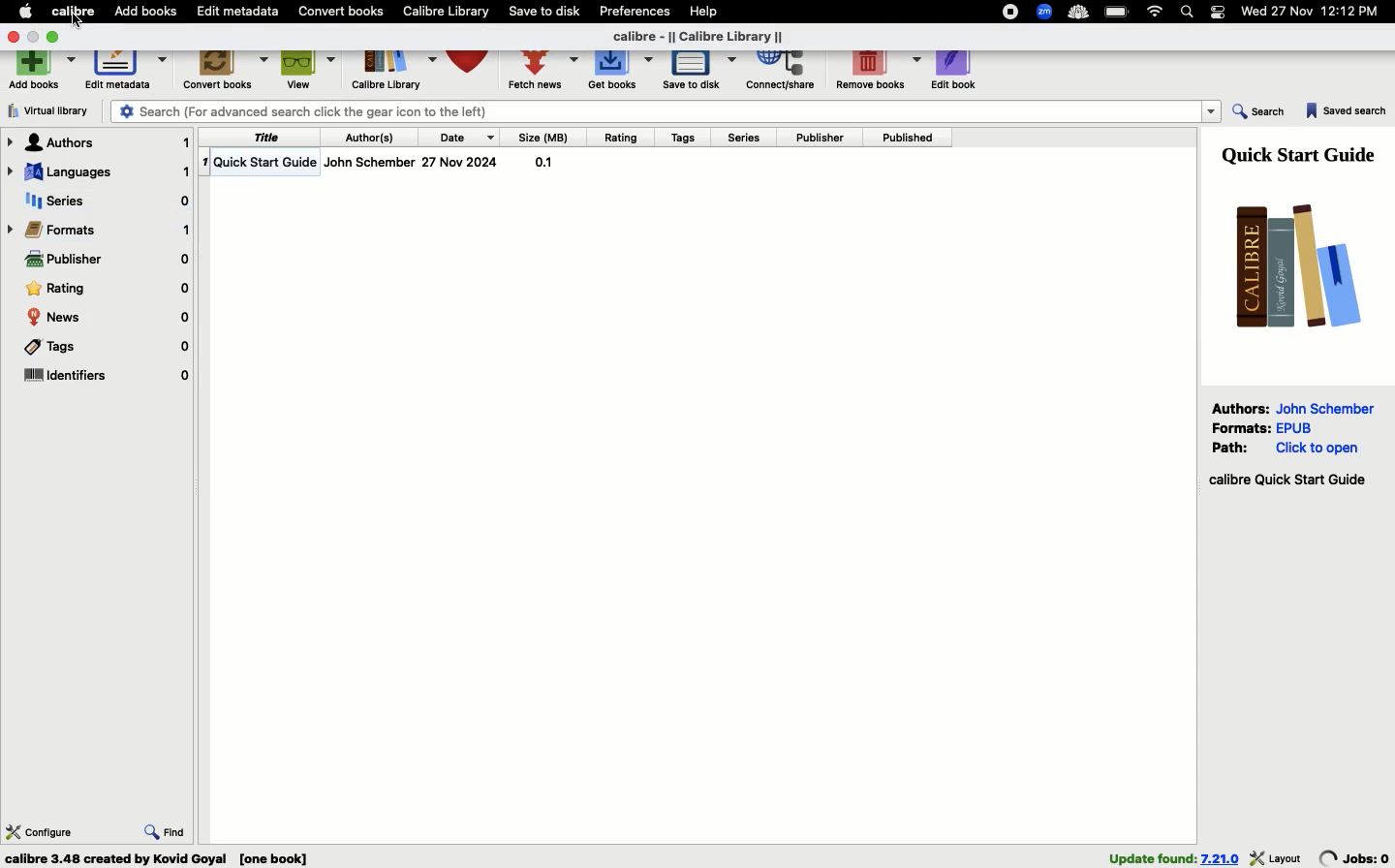 Image resolution: width=1395 pixels, height=868 pixels. Describe the element at coordinates (239, 12) in the screenshot. I see `Edit metadata` at that location.